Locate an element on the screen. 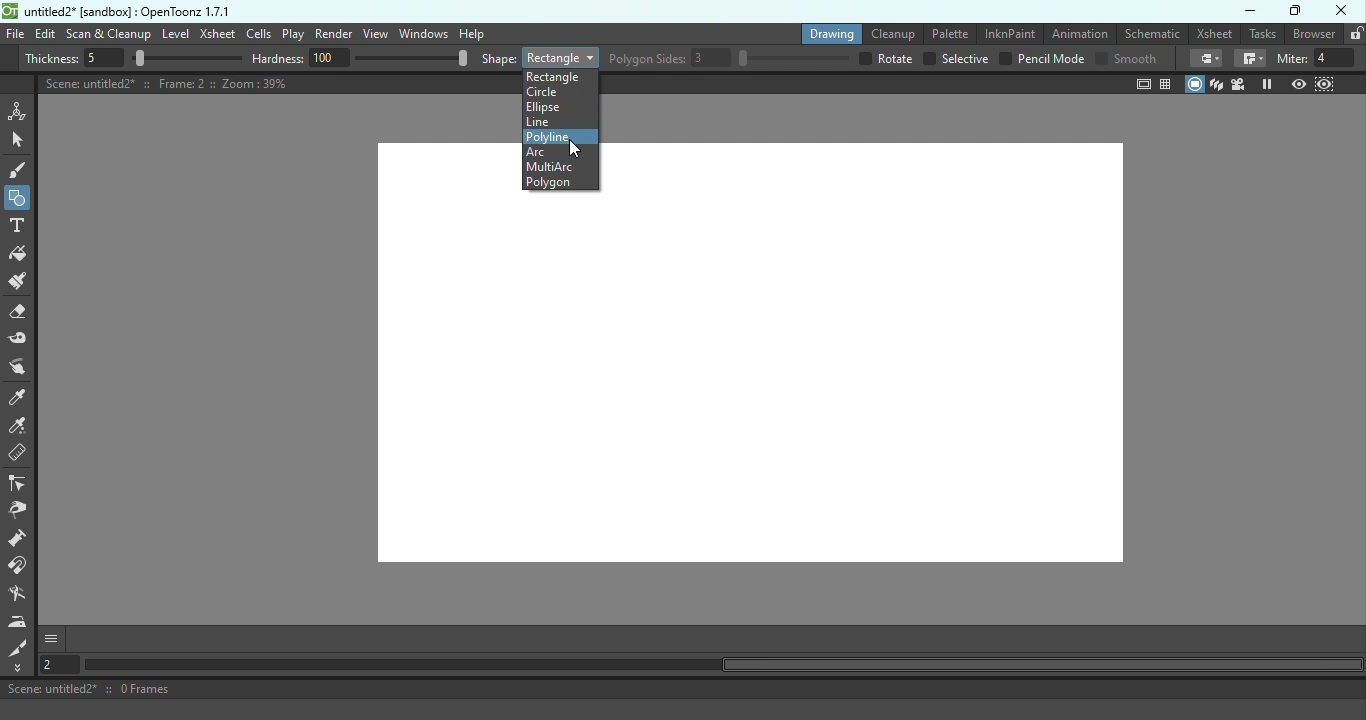  Xsheet is located at coordinates (218, 32).